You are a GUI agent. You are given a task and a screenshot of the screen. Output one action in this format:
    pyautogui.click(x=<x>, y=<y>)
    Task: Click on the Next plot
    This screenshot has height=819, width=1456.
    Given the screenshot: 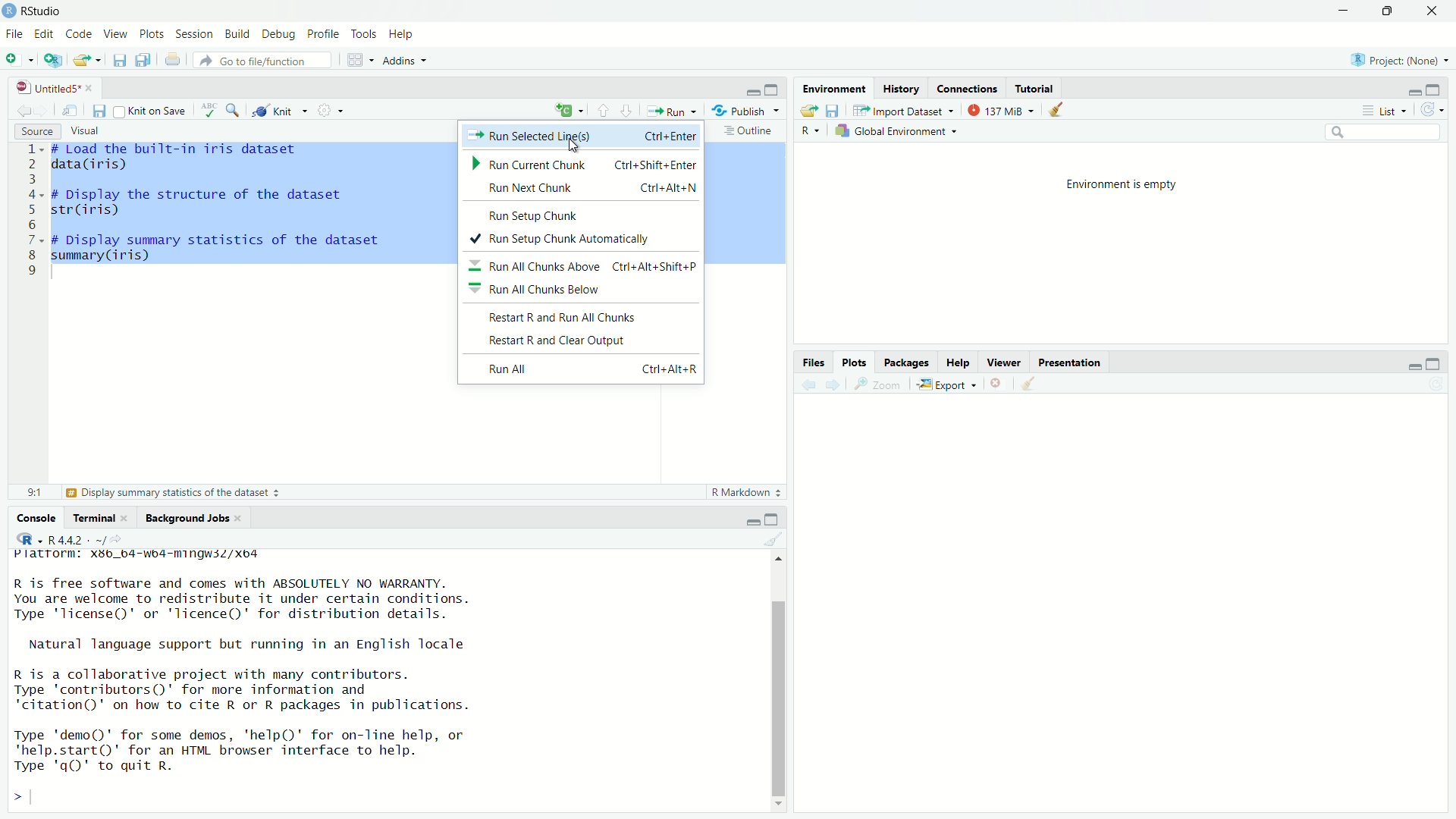 What is the action you would take?
    pyautogui.click(x=832, y=384)
    